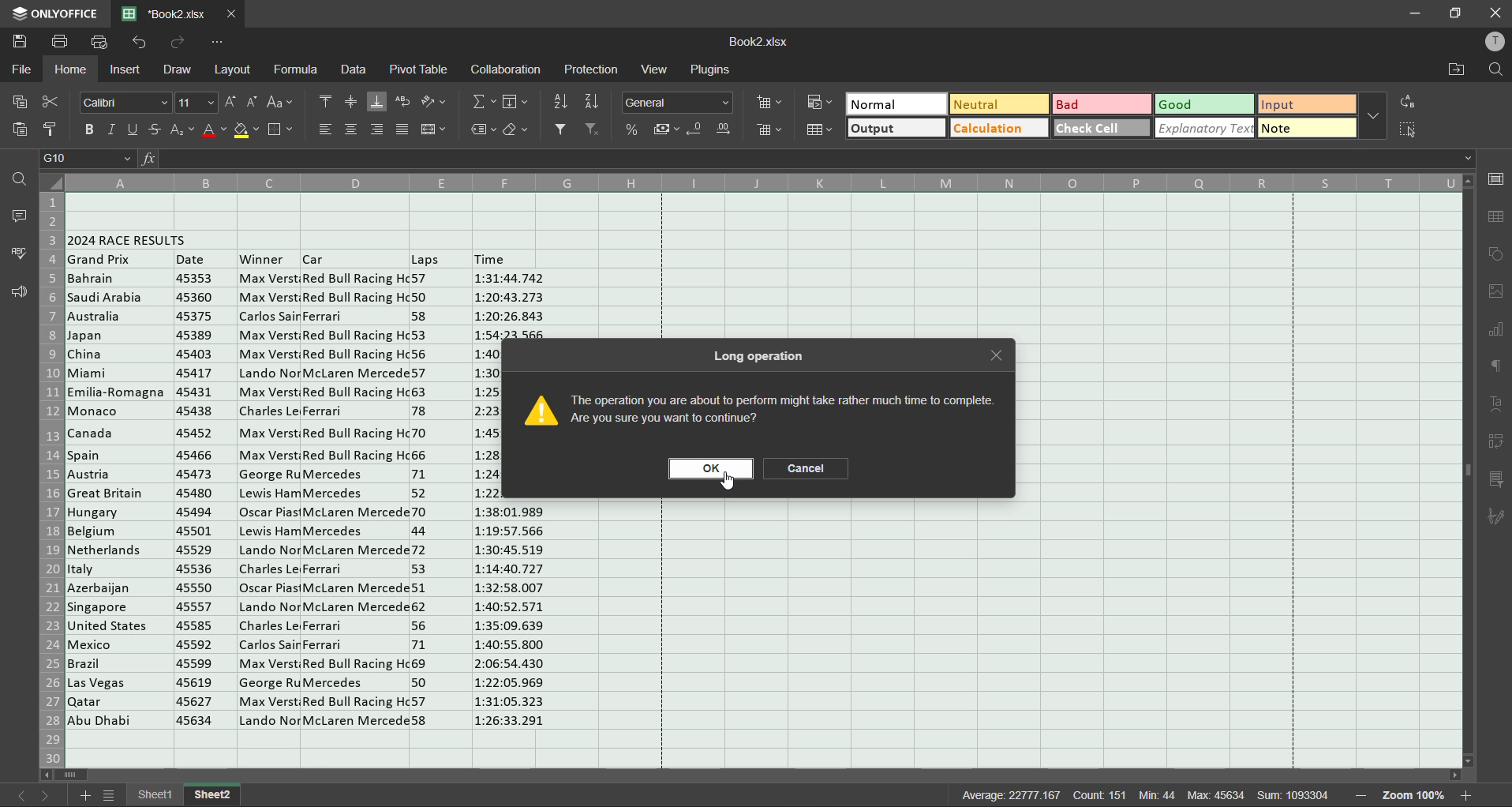  I want to click on neutral, so click(997, 105).